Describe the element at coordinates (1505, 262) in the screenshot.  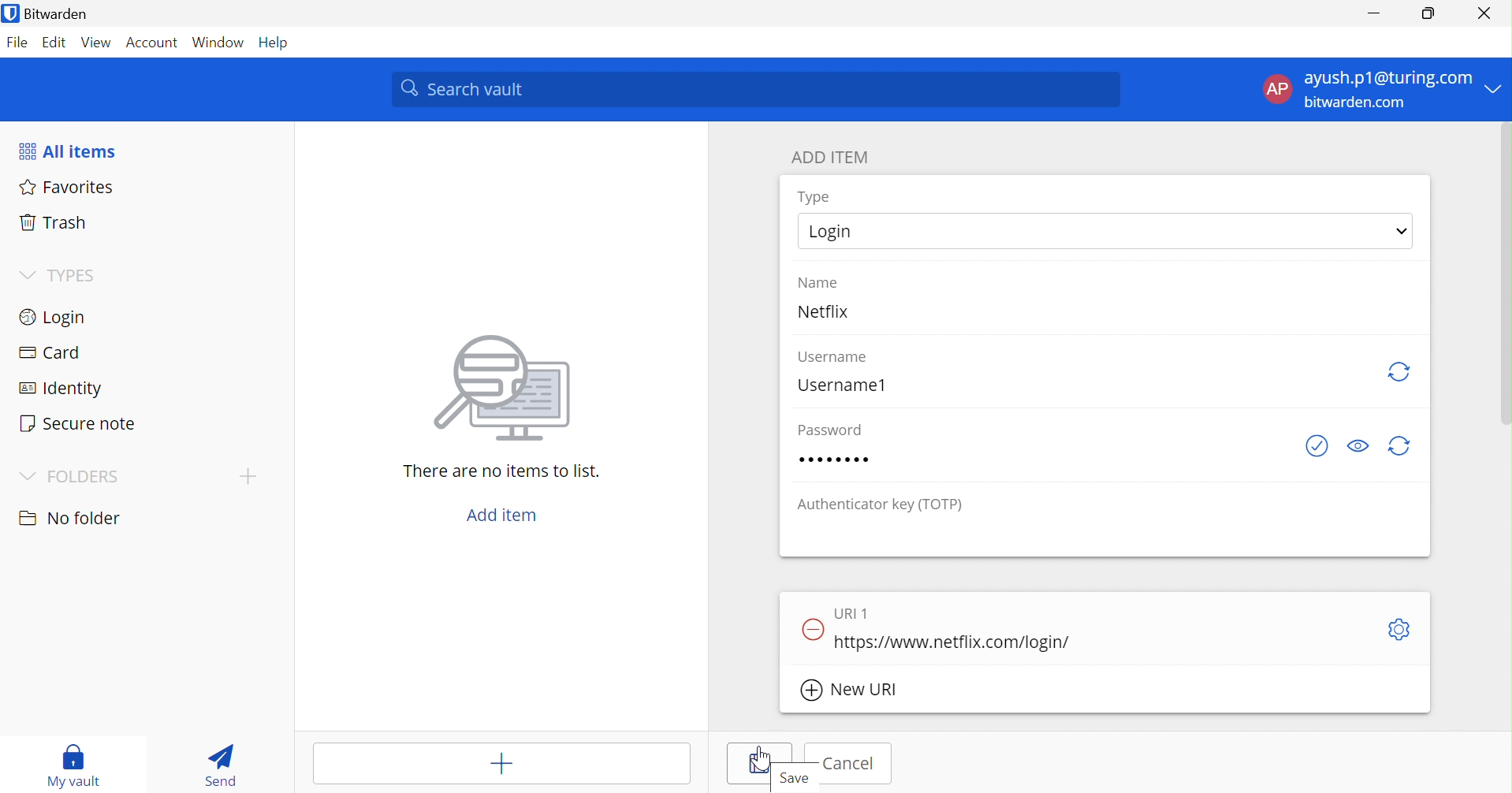
I see `scrollbar` at that location.